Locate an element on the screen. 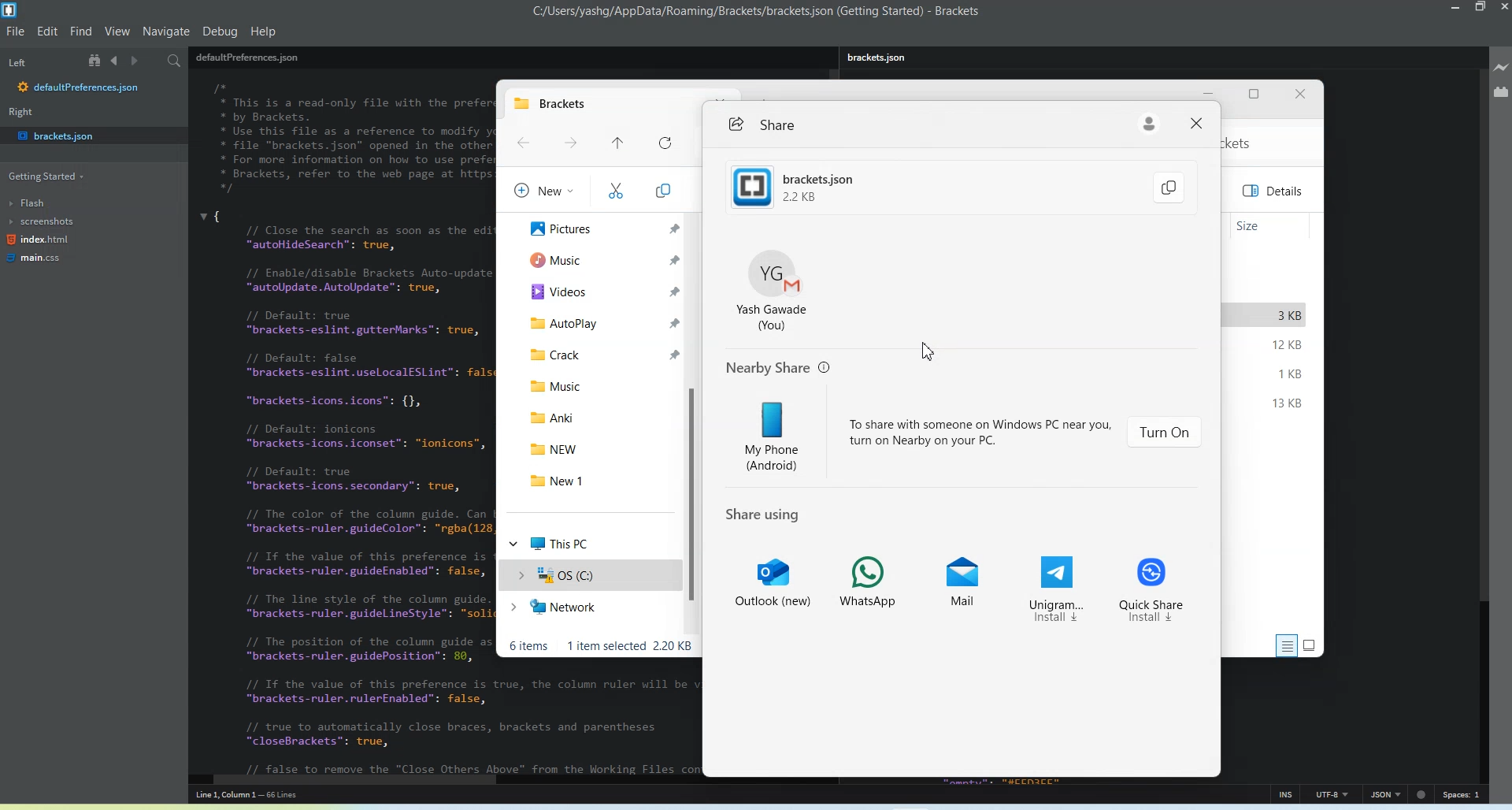 The height and width of the screenshot is (810, 1512). Nearby share is located at coordinates (775, 367).